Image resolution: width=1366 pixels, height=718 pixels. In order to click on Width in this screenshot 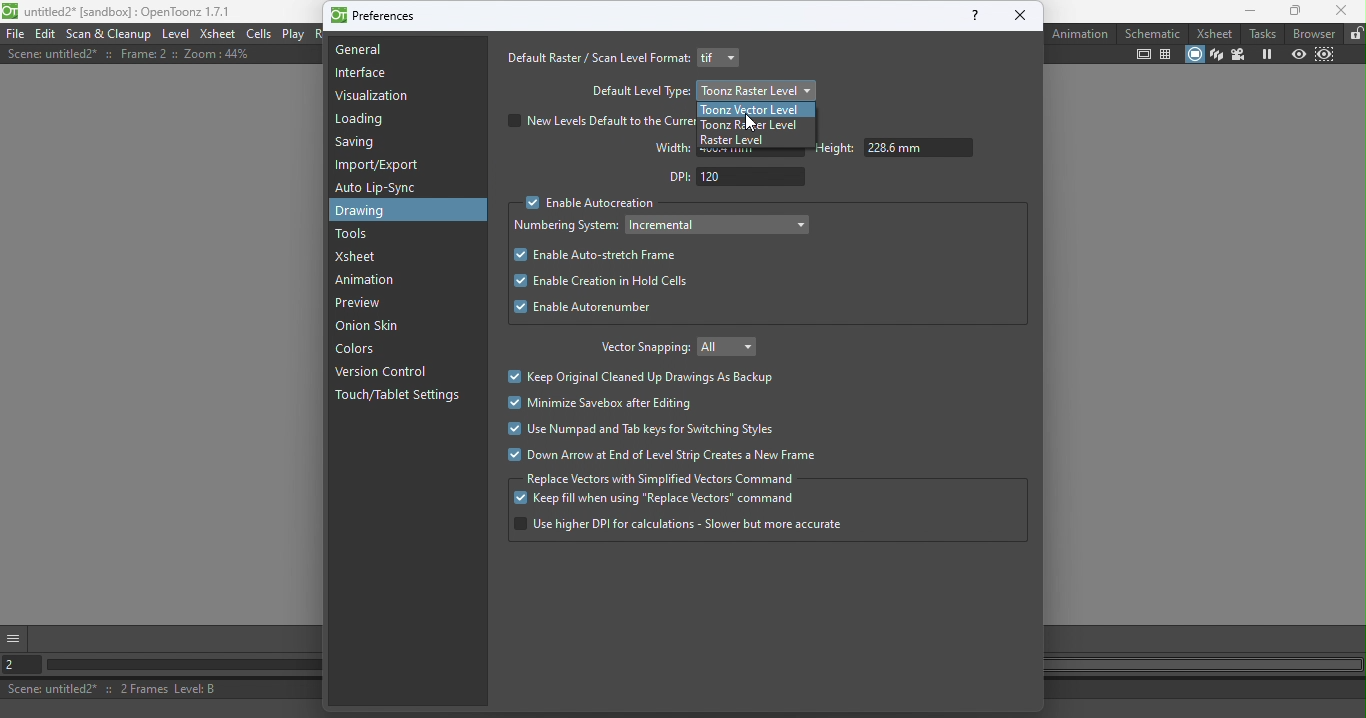, I will do `click(673, 148)`.